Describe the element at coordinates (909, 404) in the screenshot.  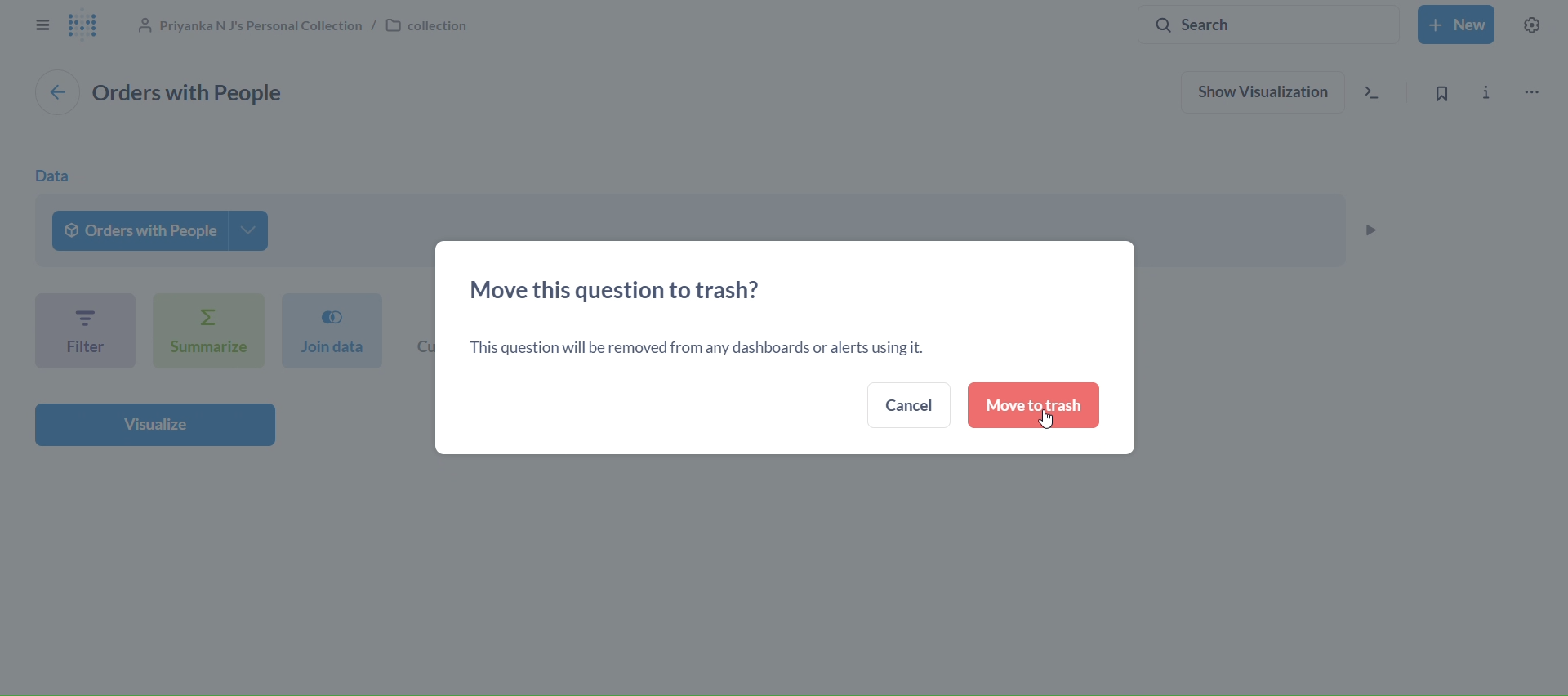
I see `cancel` at that location.